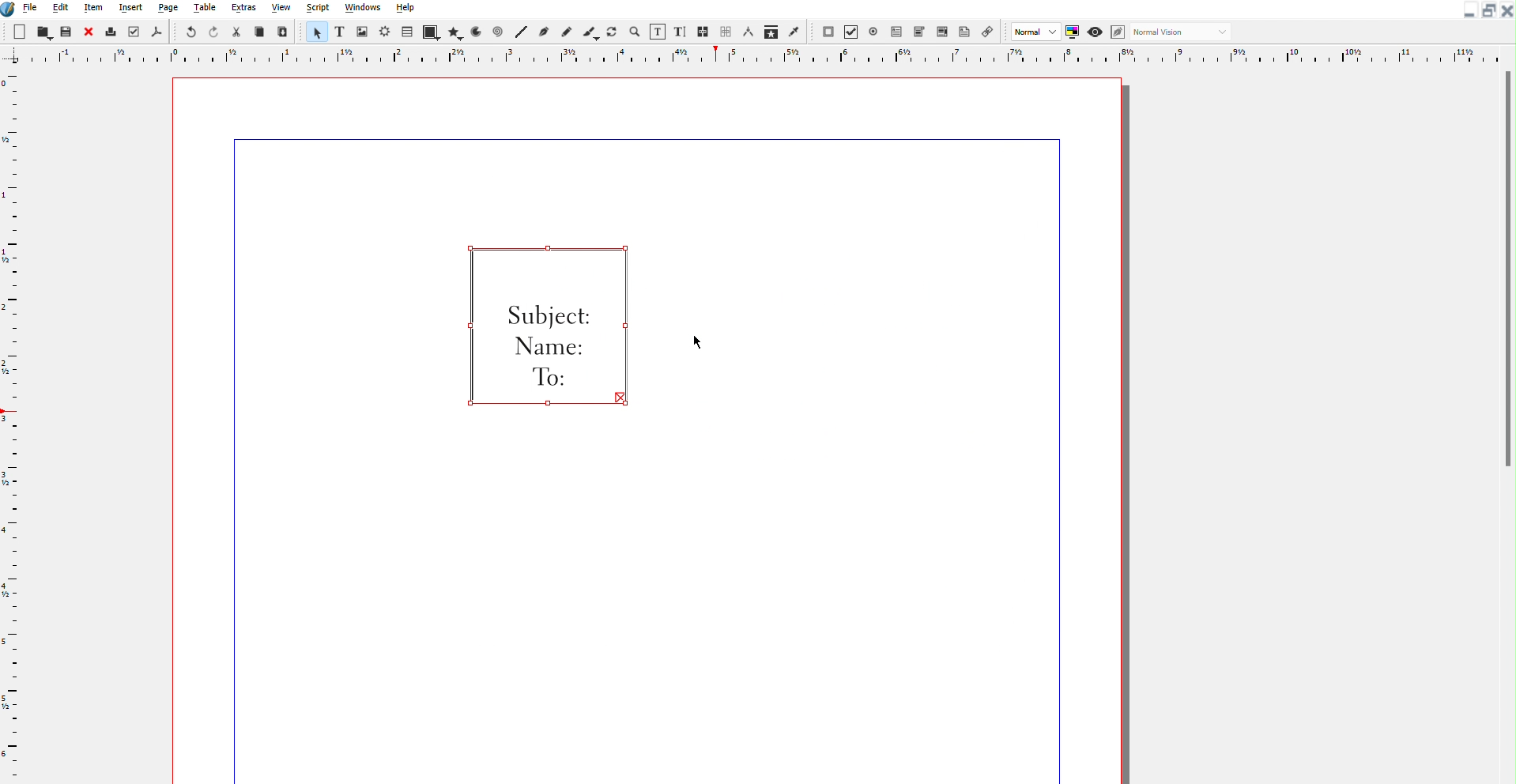 The image size is (1516, 784). I want to click on Help, so click(405, 9).